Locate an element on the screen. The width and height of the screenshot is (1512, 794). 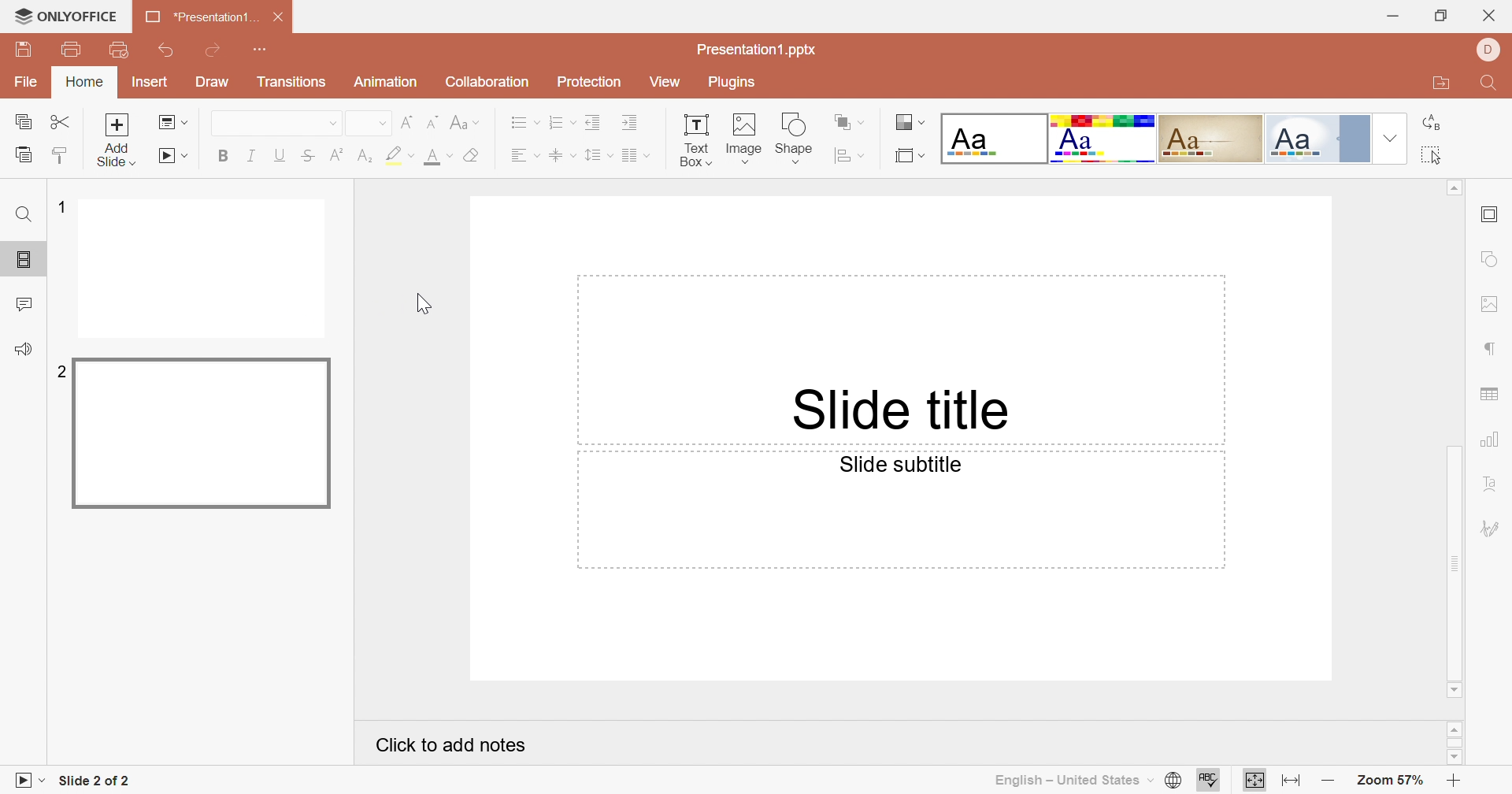
Align Text to Middle is located at coordinates (557, 157).